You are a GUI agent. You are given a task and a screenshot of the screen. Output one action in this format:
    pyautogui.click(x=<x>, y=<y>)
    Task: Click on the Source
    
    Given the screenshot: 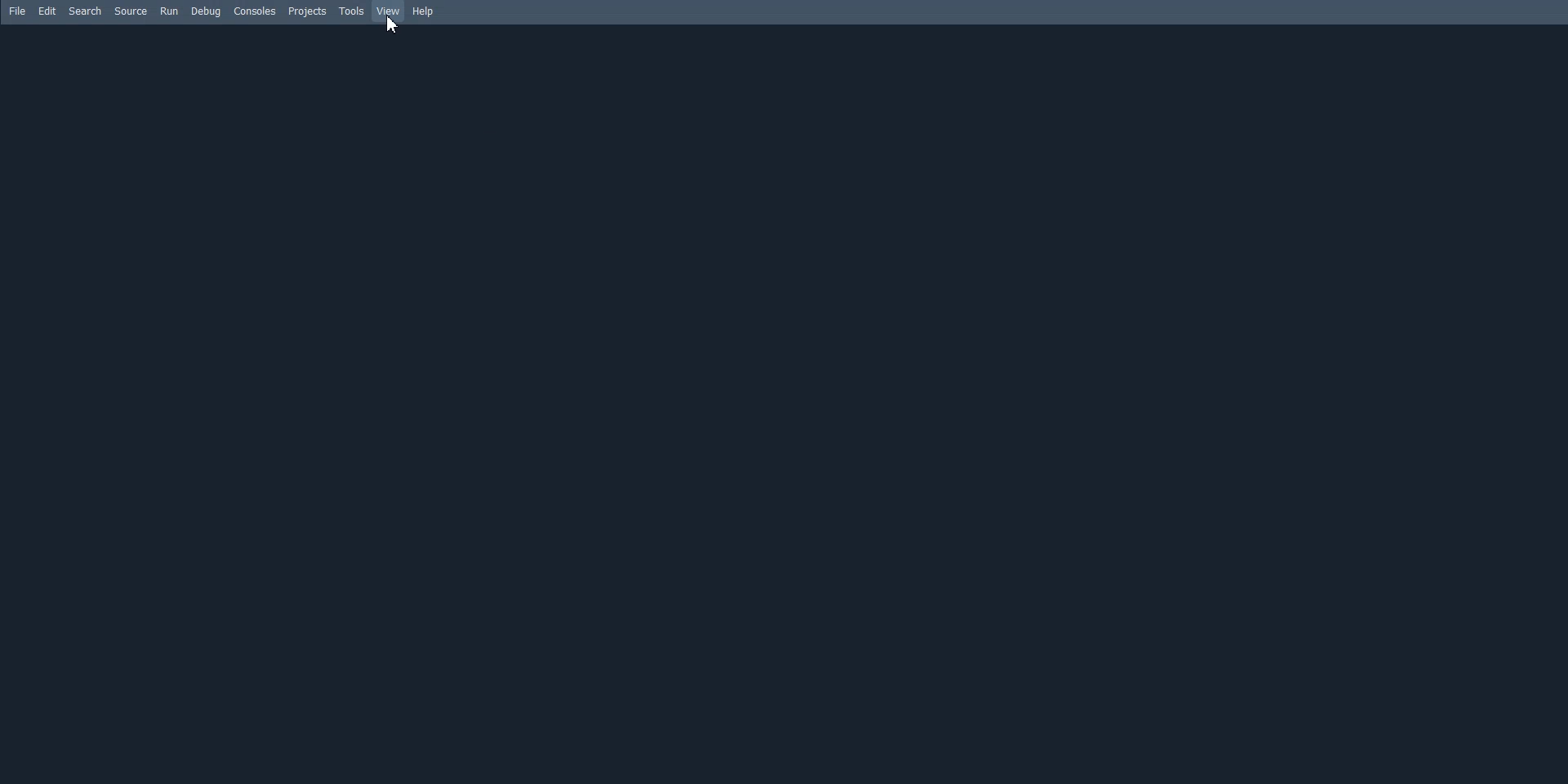 What is the action you would take?
    pyautogui.click(x=131, y=11)
    